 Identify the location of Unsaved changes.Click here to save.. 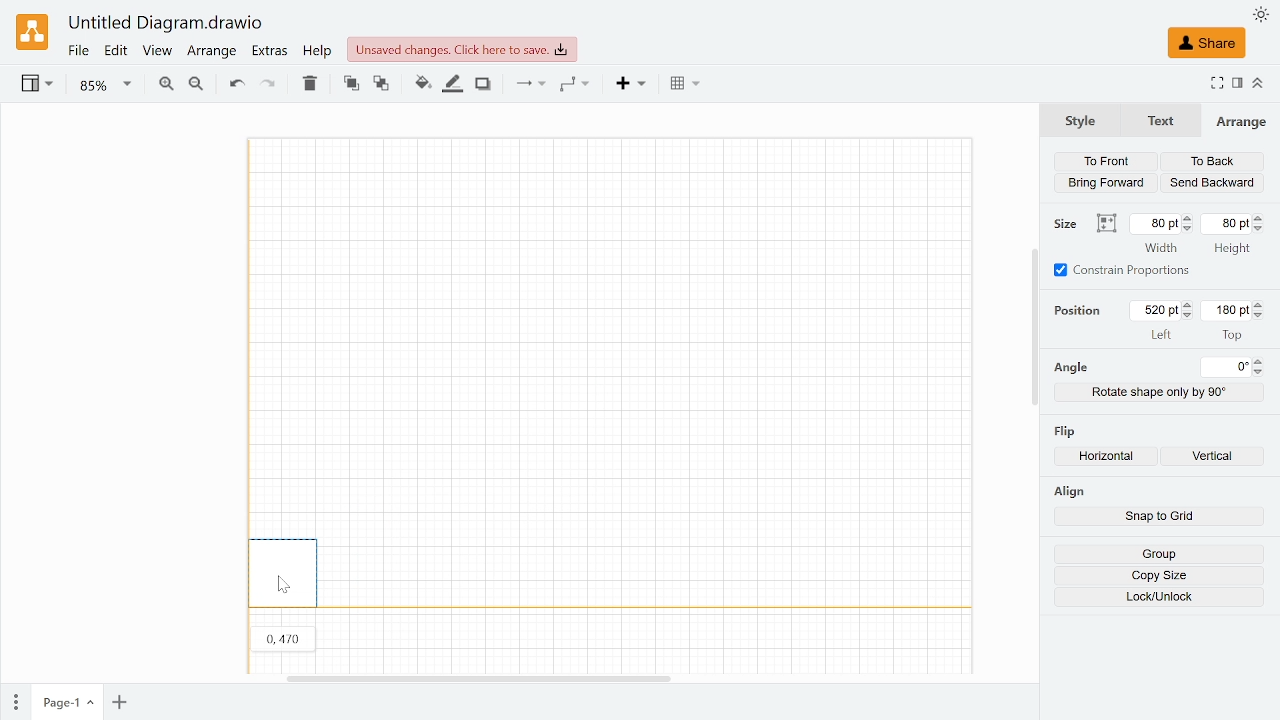
(462, 49).